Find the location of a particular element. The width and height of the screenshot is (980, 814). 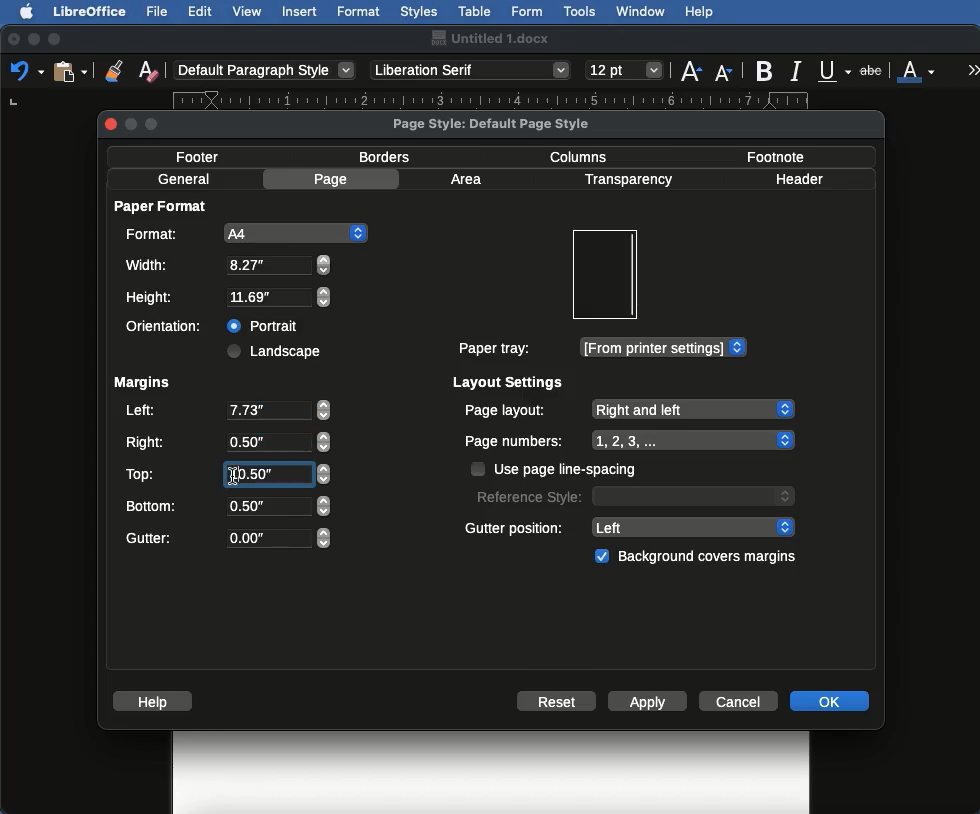

Size is located at coordinates (626, 71).